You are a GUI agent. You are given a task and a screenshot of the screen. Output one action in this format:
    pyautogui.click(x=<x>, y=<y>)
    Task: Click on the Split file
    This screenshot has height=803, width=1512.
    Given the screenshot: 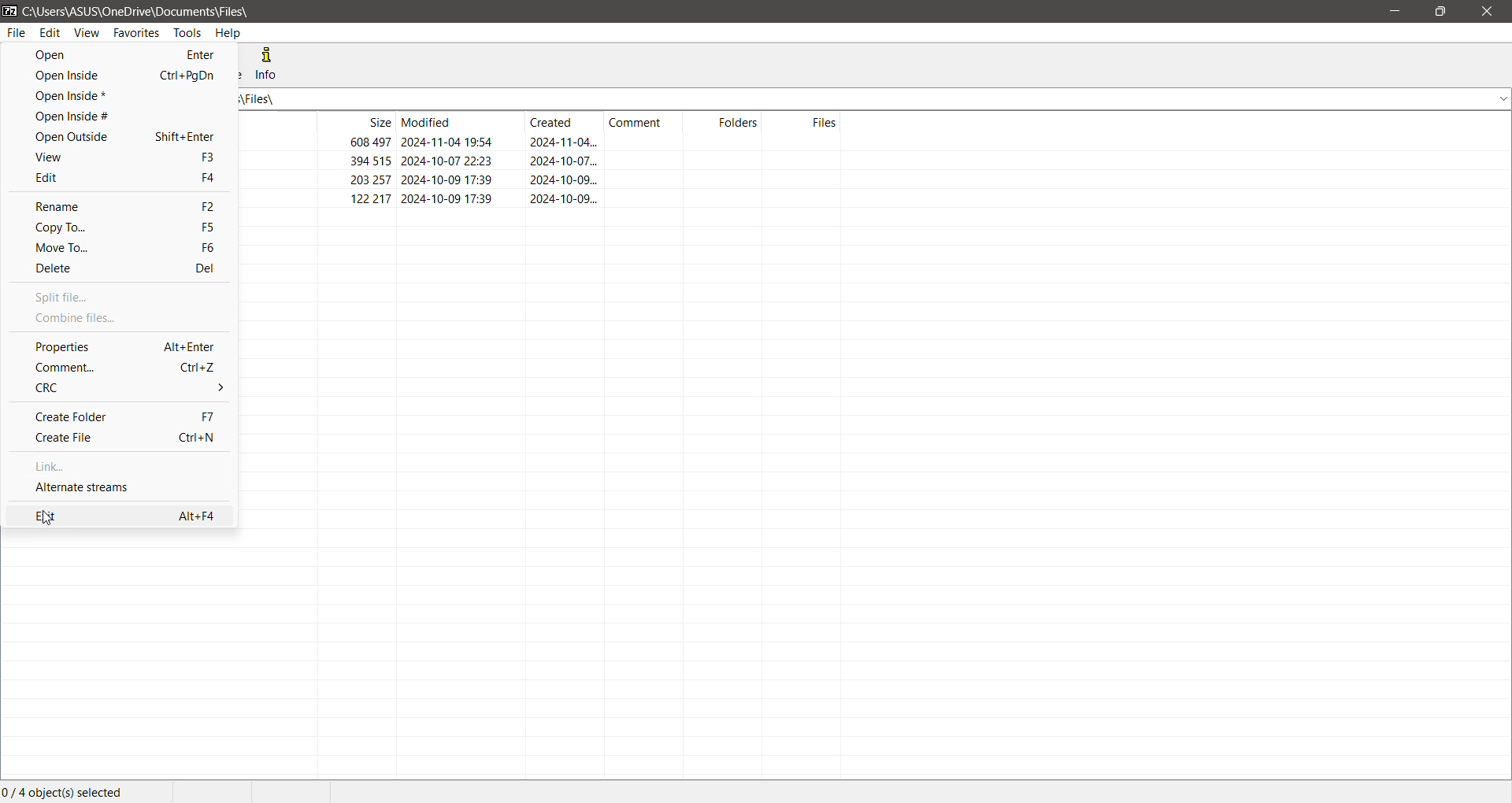 What is the action you would take?
    pyautogui.click(x=65, y=298)
    